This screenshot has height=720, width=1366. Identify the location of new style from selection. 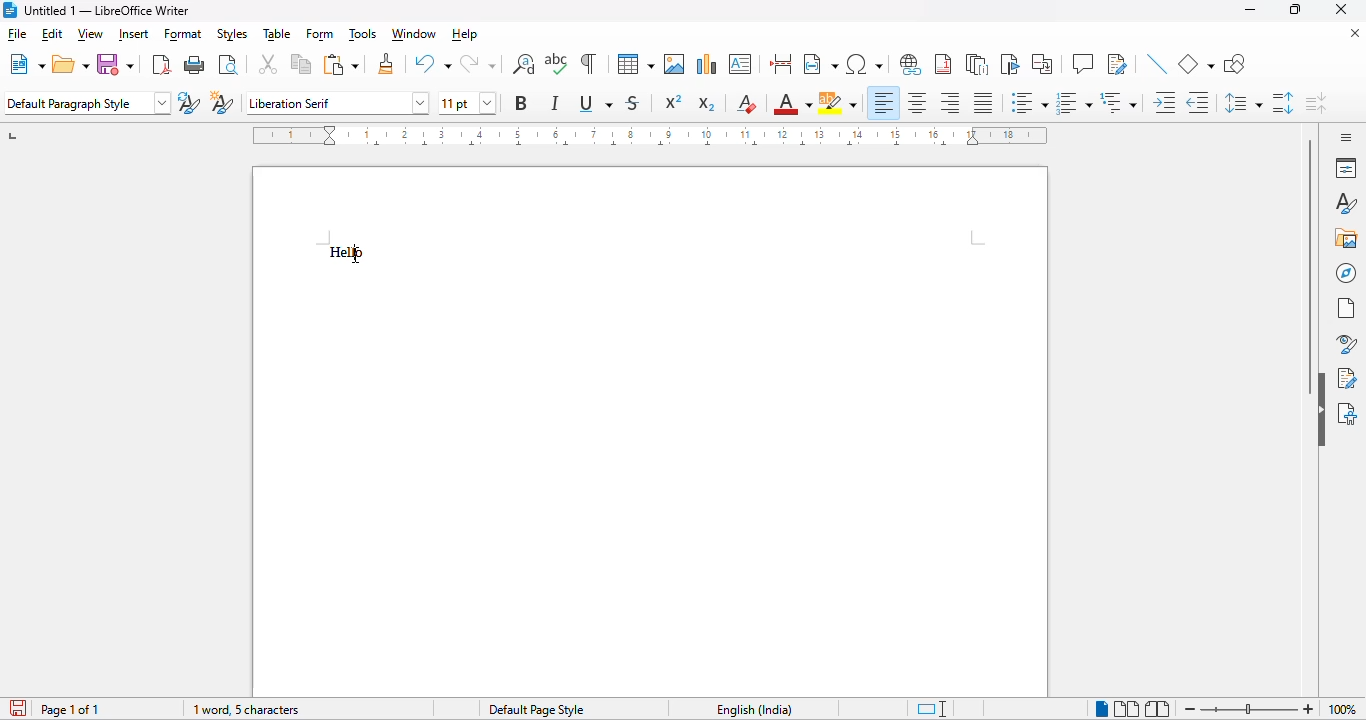
(223, 102).